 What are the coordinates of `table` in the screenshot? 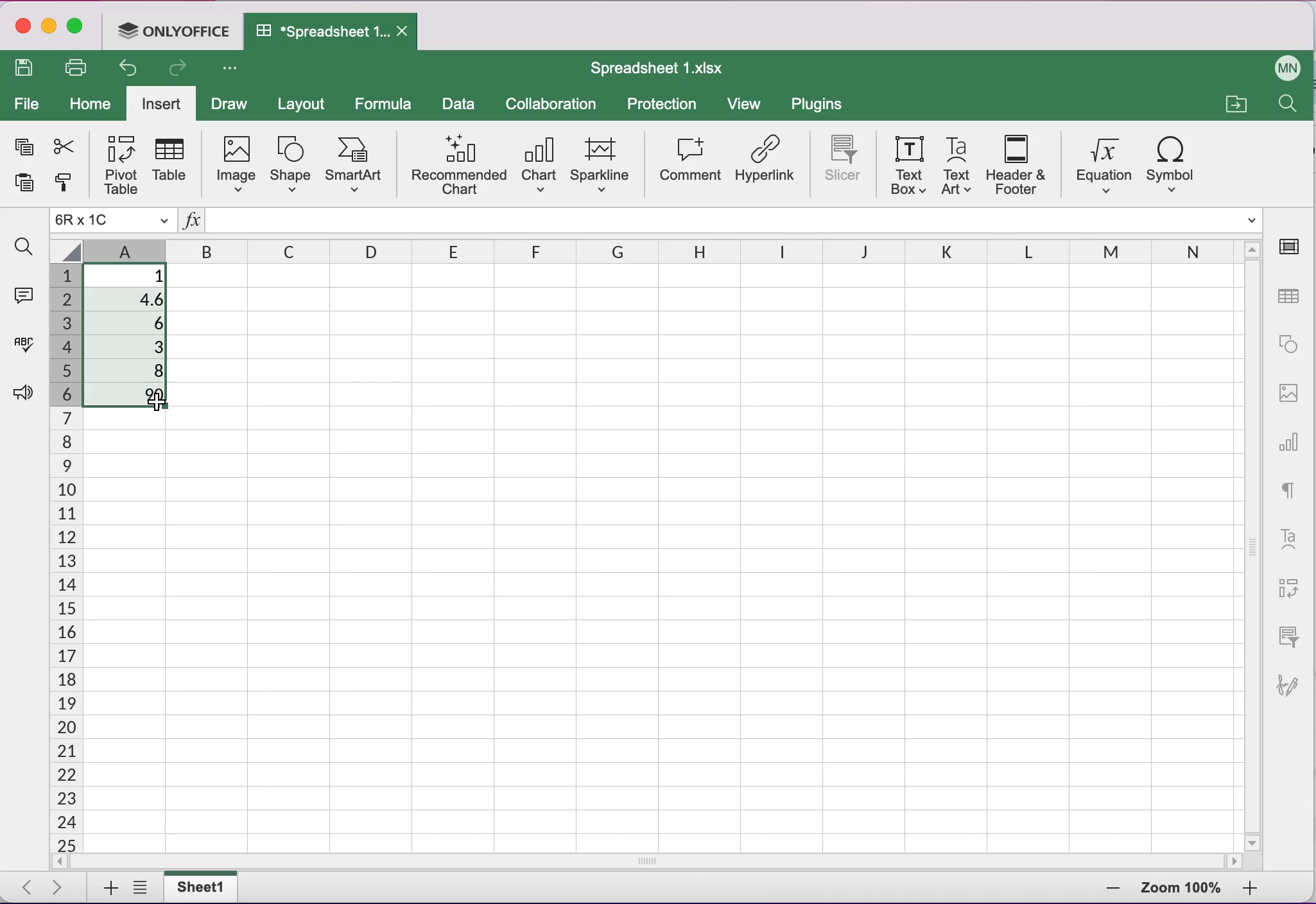 It's located at (173, 164).